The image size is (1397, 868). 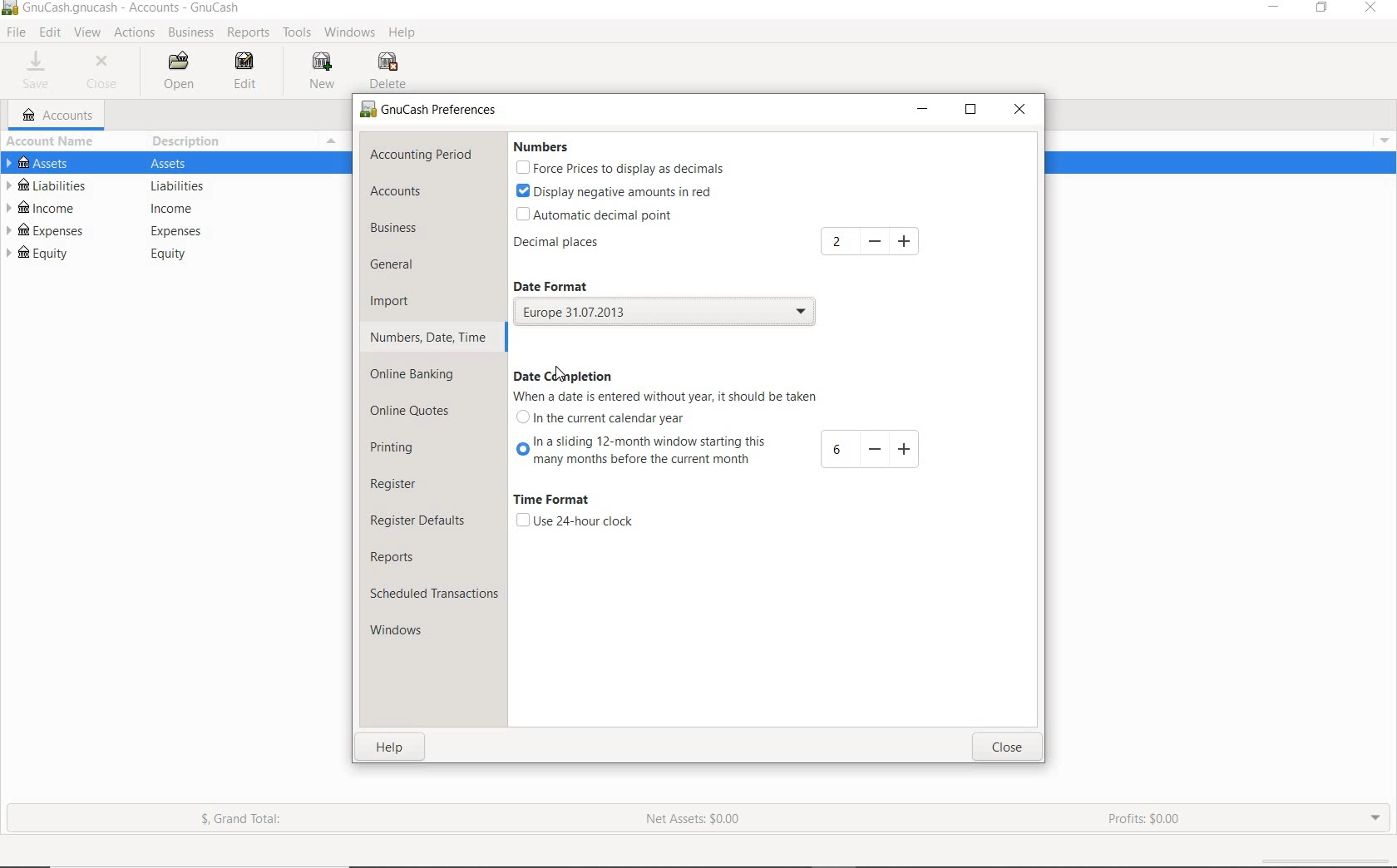 I want to click on GRAND TOTAL, so click(x=249, y=822).